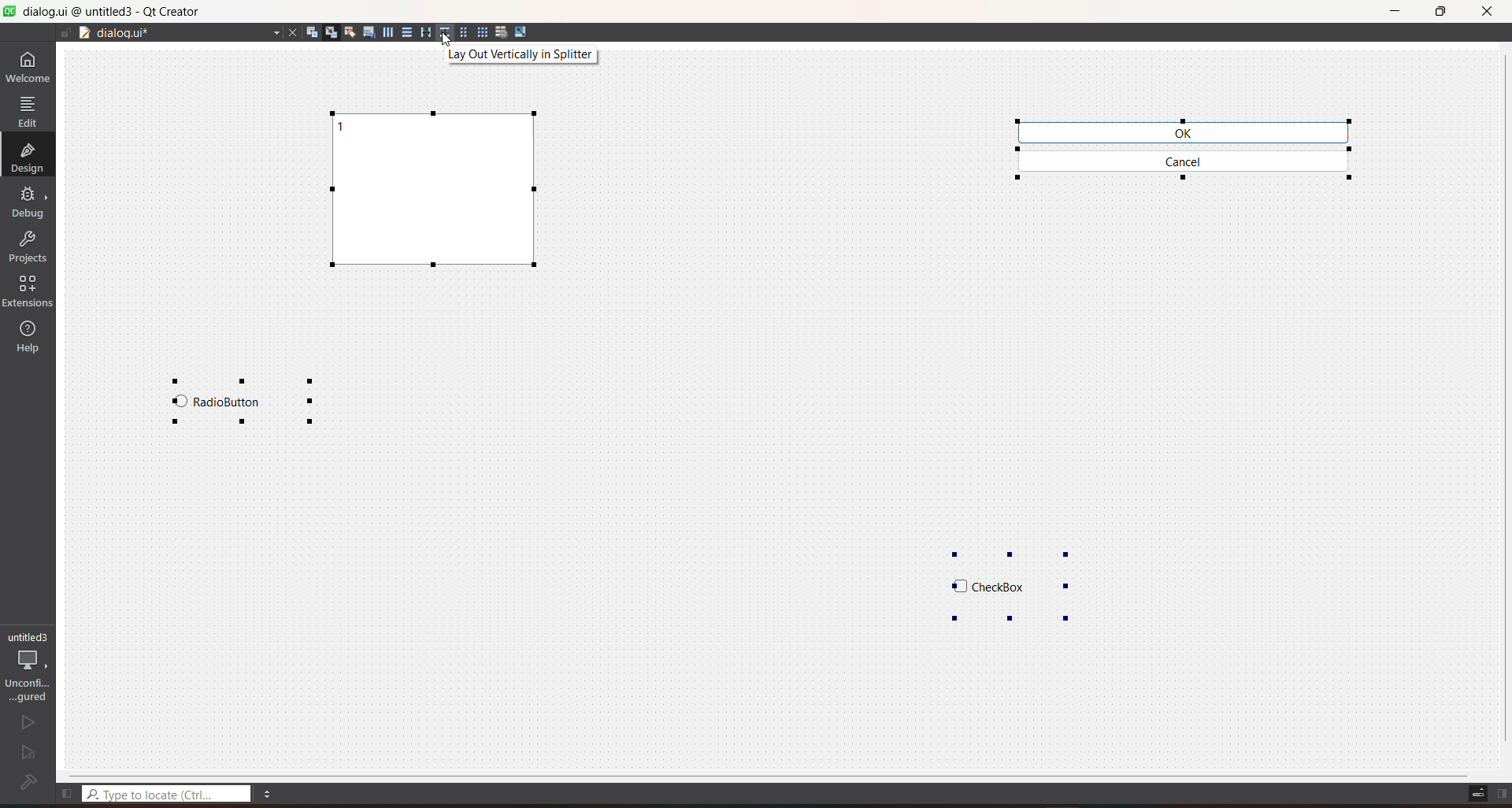  What do you see at coordinates (65, 791) in the screenshot?
I see `show left sidebar` at bounding box center [65, 791].